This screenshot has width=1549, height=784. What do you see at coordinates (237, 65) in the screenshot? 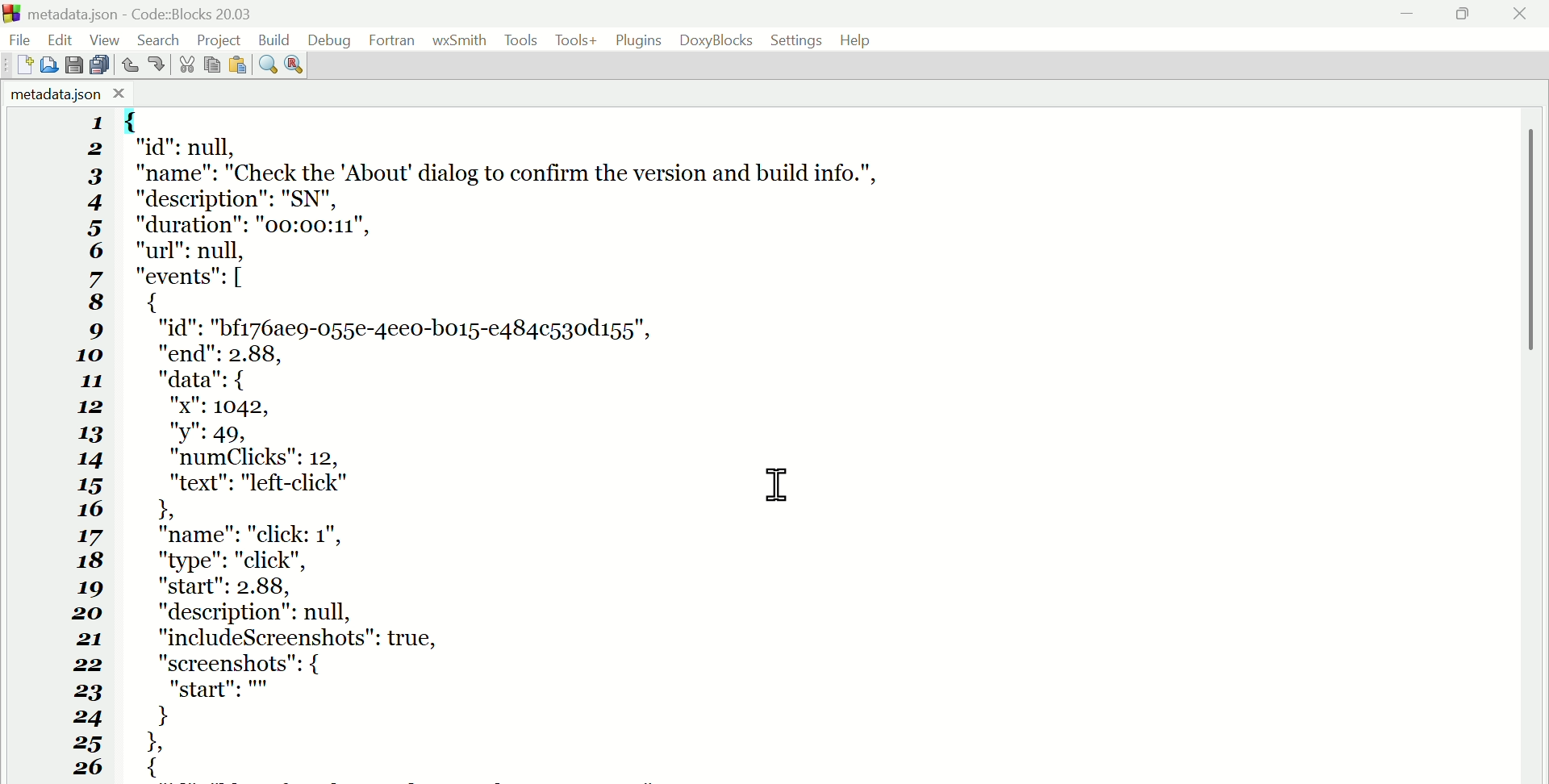
I see `Paste` at bounding box center [237, 65].